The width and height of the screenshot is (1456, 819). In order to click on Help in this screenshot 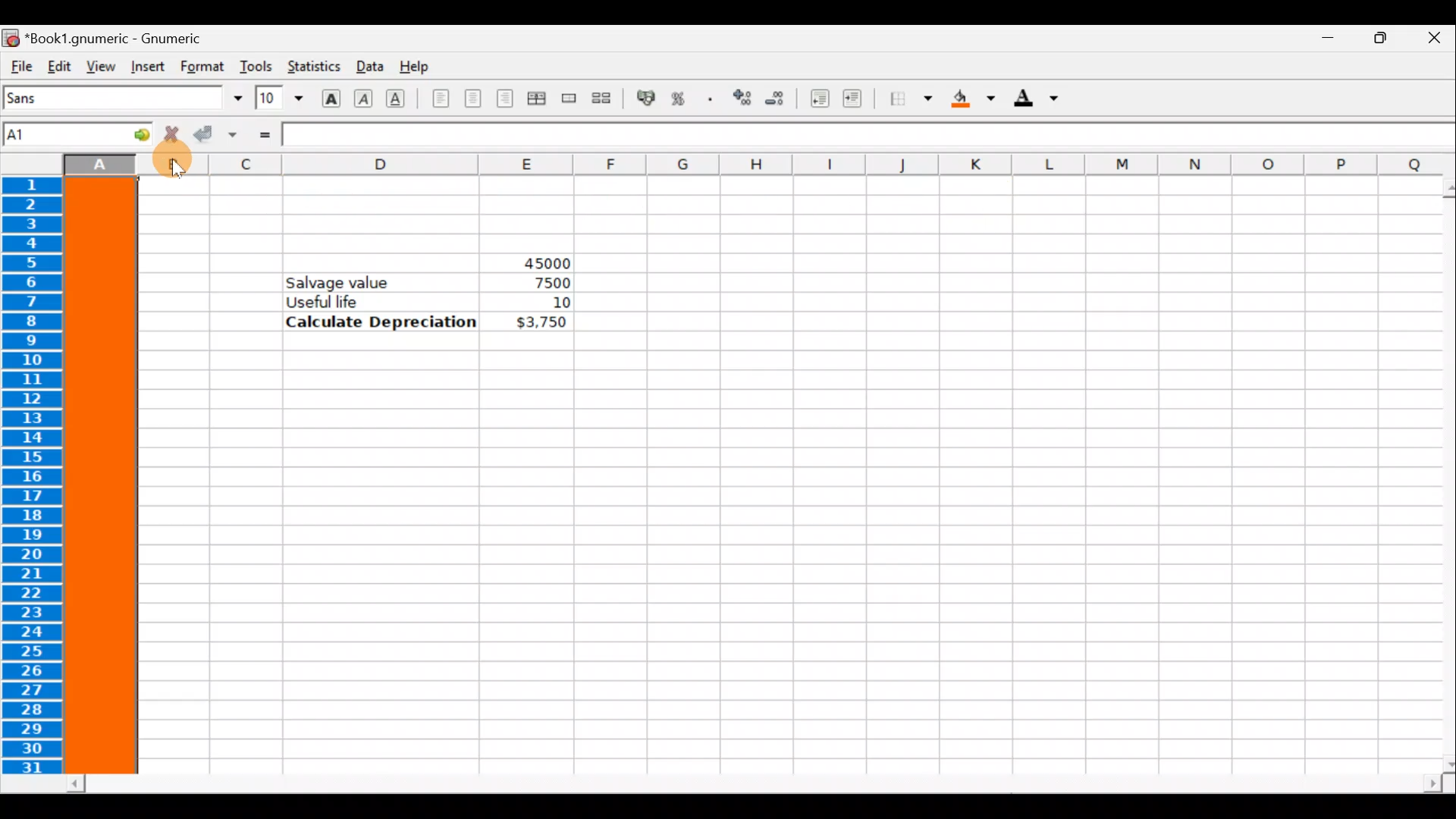, I will do `click(419, 67)`.